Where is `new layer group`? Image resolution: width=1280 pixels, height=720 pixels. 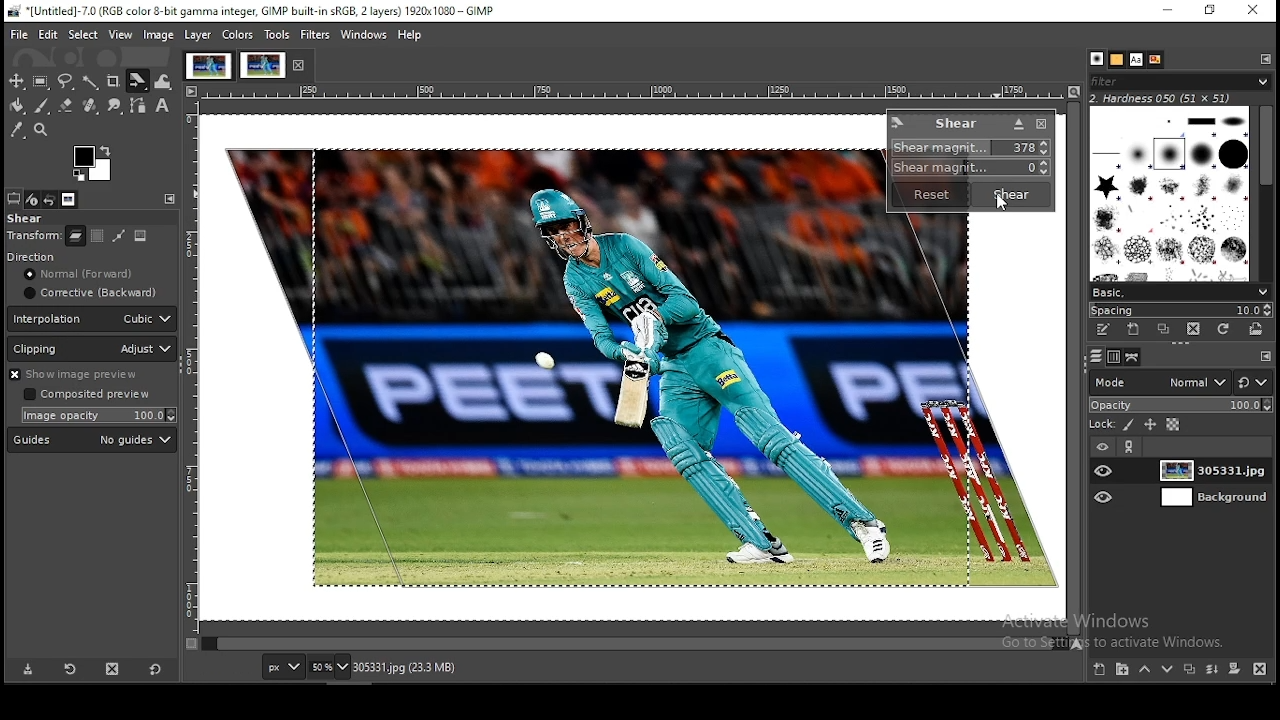 new layer group is located at coordinates (1121, 670).